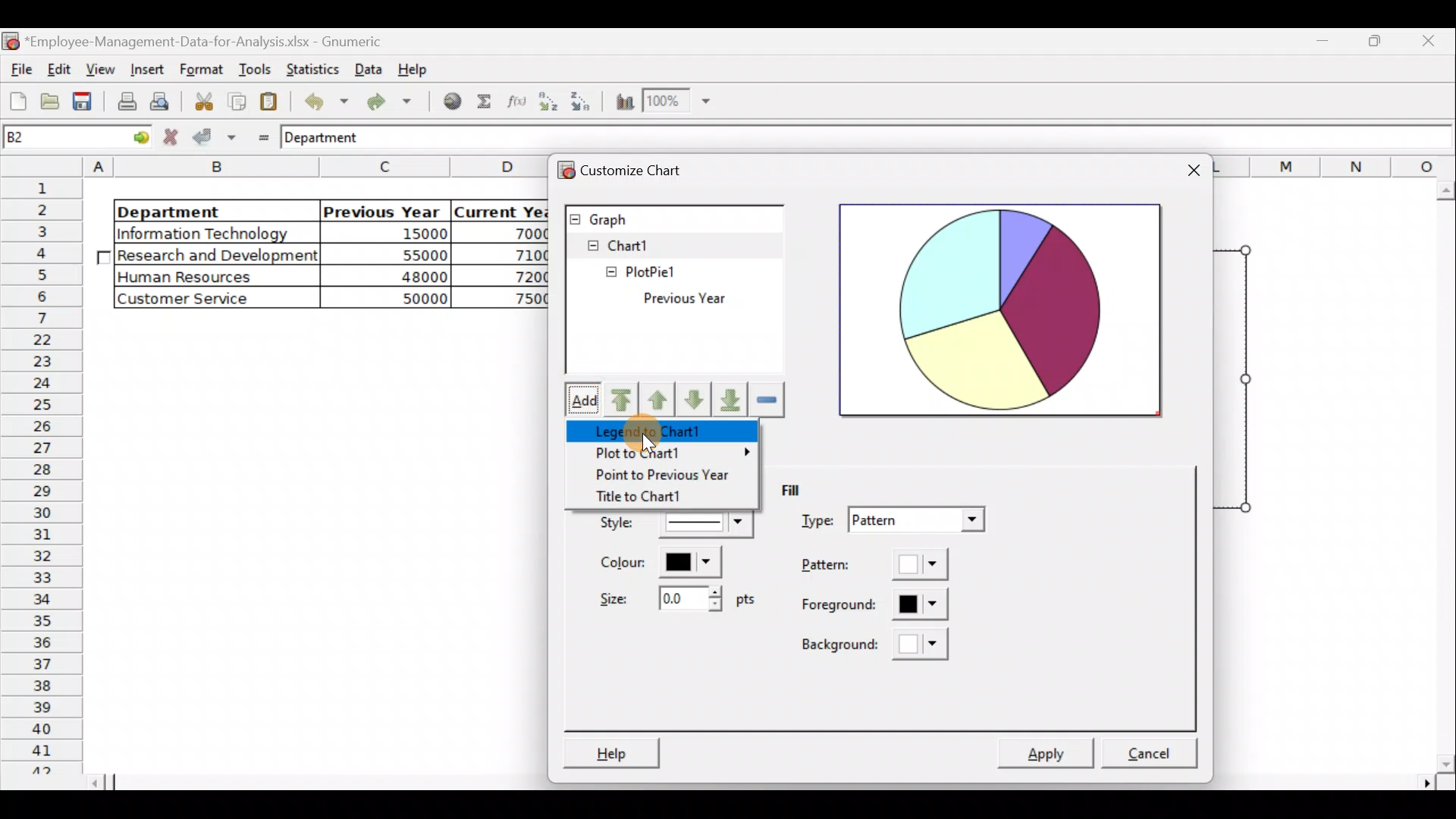  I want to click on Edit, so click(61, 67).